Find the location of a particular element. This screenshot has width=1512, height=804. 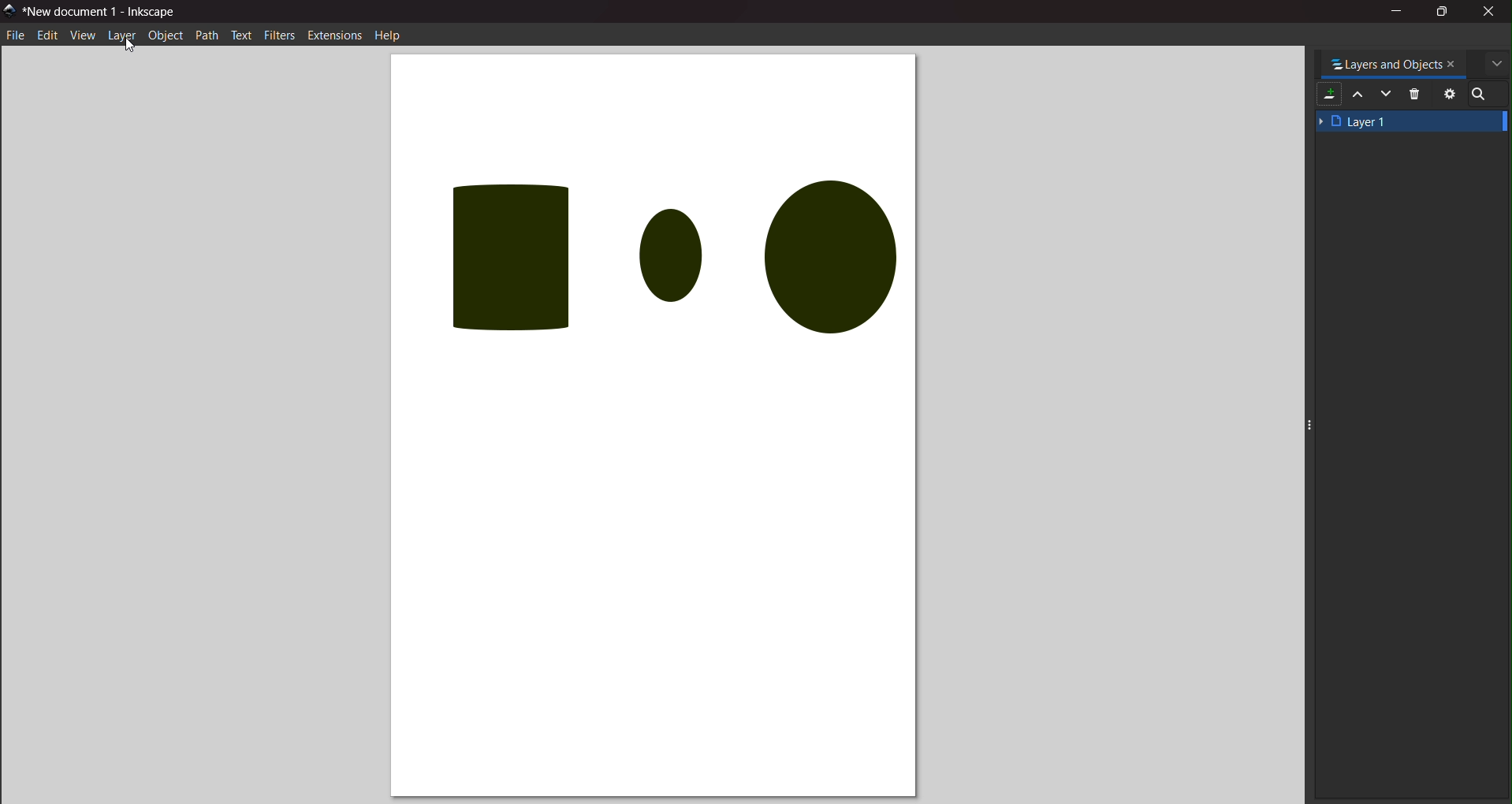

search is located at coordinates (1481, 94).